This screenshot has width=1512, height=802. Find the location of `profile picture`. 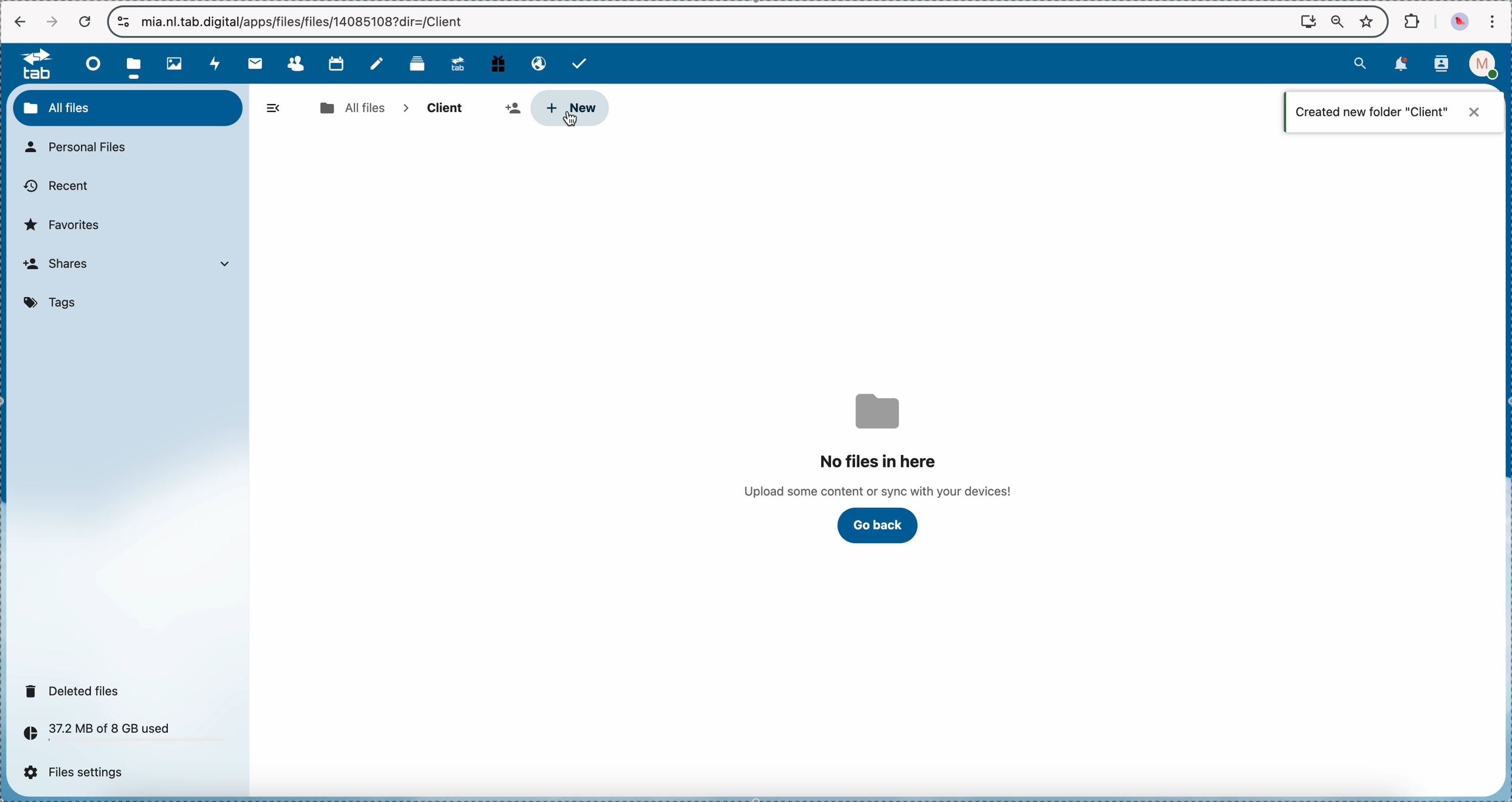

profile picture is located at coordinates (1462, 22).